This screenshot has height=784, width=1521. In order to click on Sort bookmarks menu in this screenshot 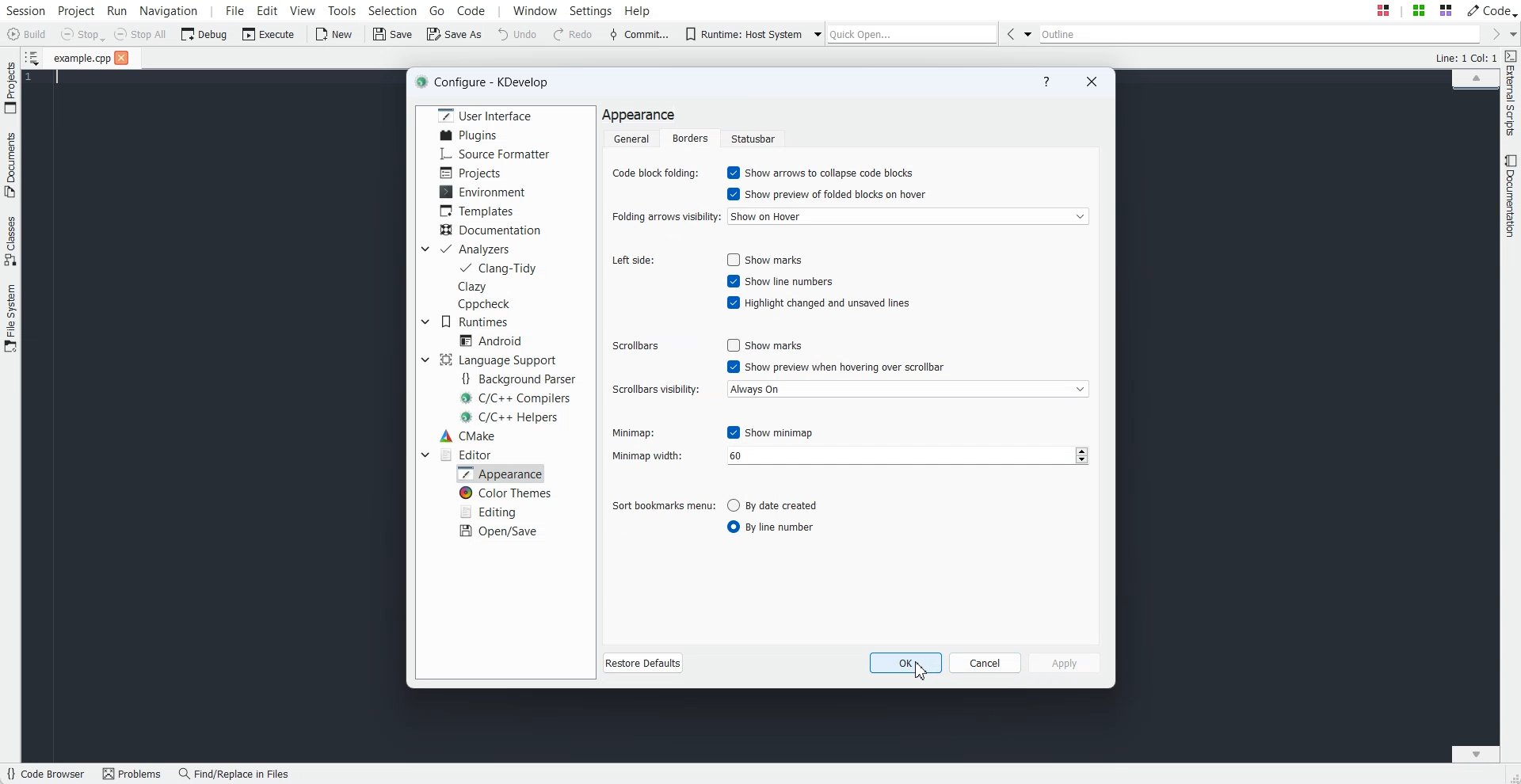, I will do `click(662, 504)`.